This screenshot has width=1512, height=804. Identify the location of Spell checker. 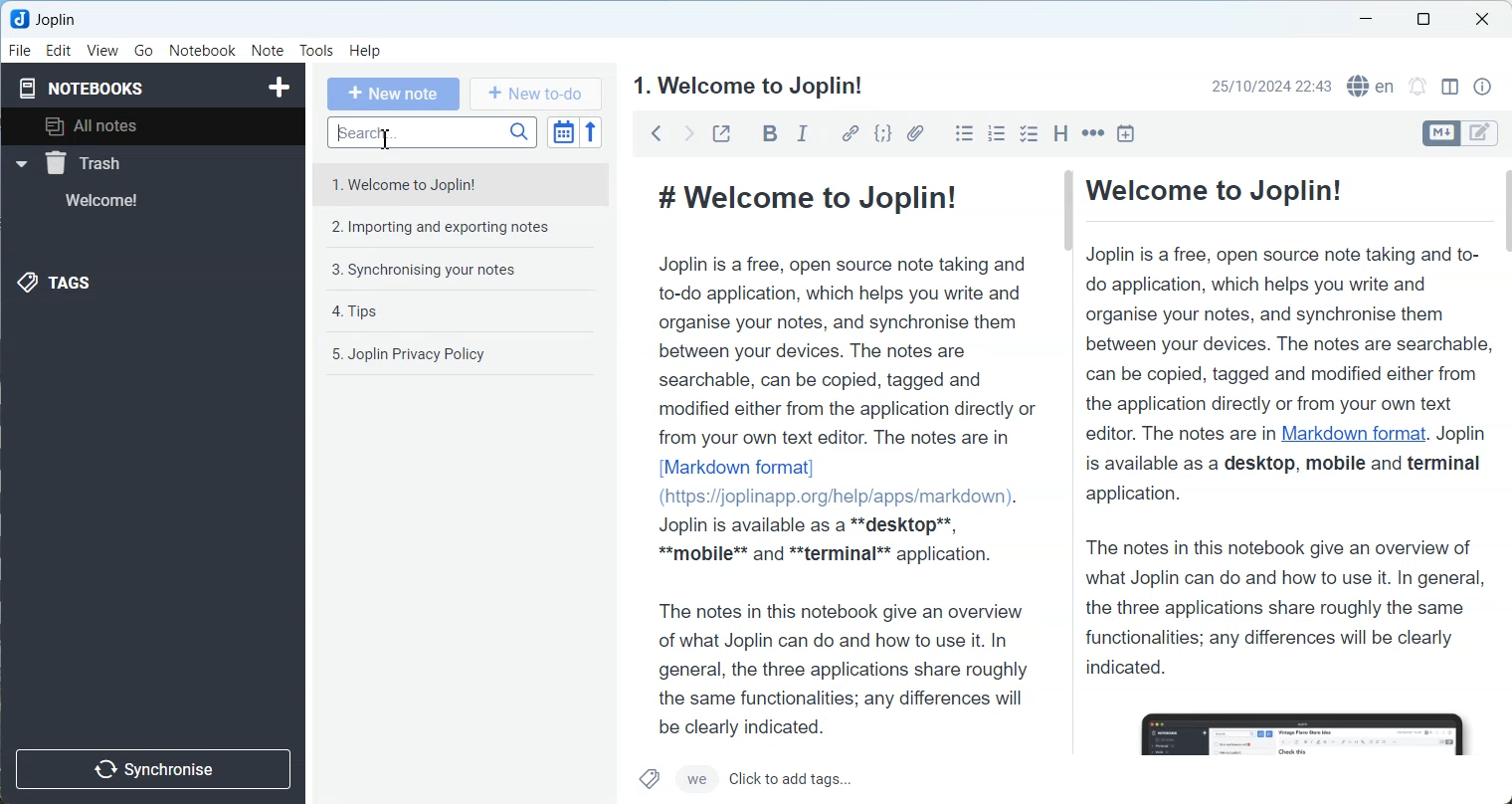
(1371, 86).